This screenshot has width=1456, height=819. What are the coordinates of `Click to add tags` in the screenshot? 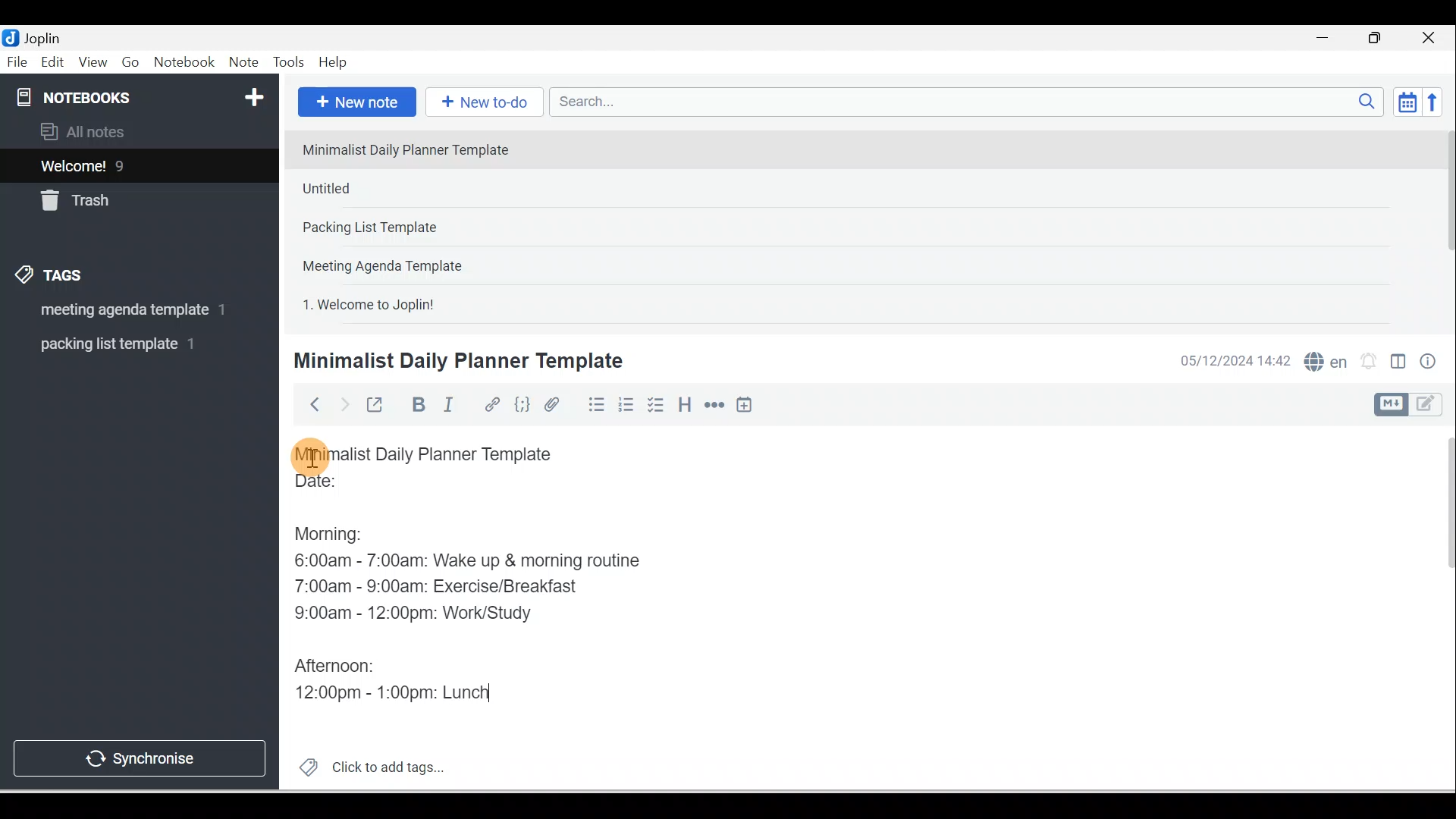 It's located at (366, 765).